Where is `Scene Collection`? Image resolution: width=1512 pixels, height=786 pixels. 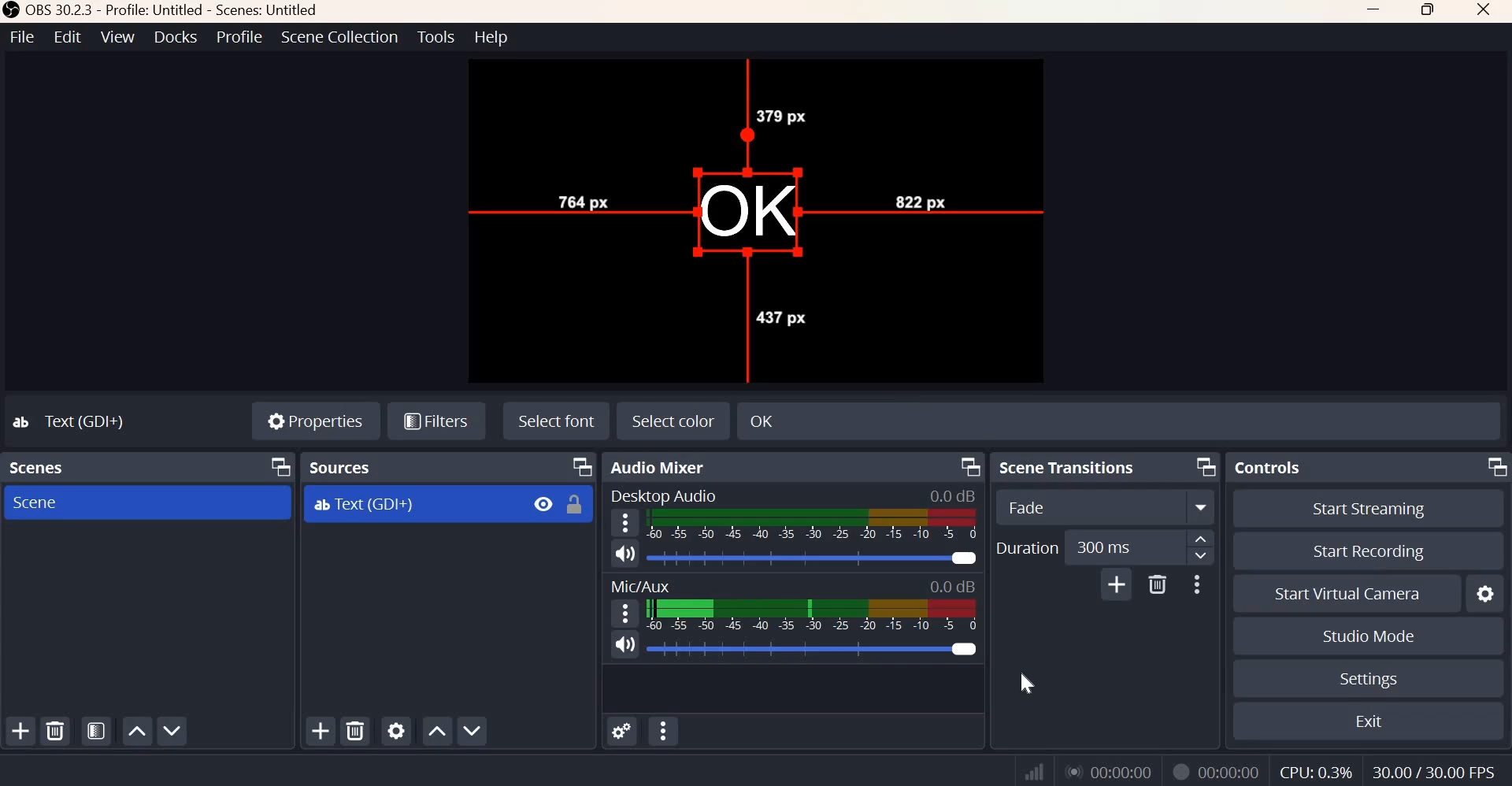
Scene Collection is located at coordinates (339, 37).